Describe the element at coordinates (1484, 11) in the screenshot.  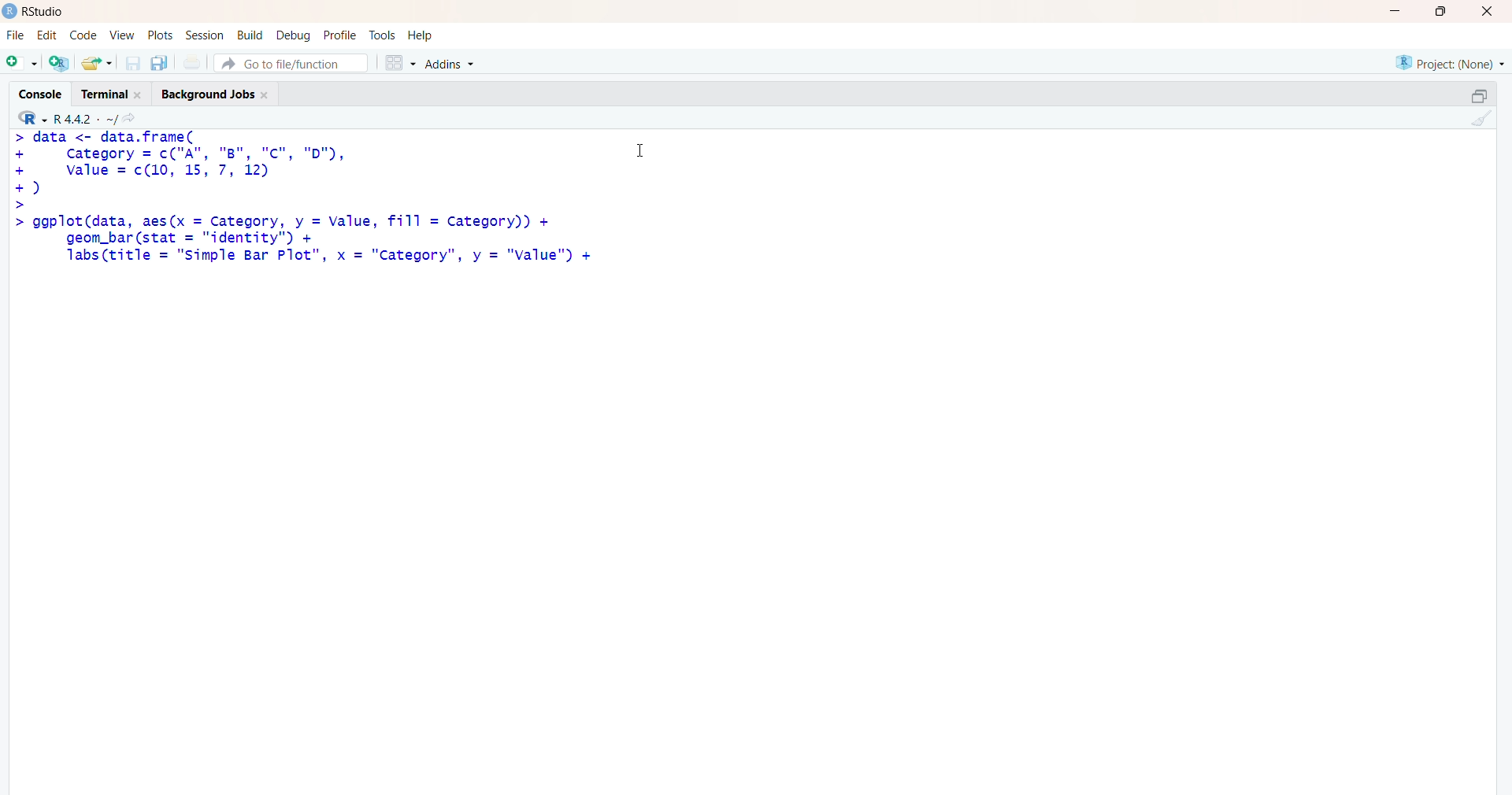
I see `Close` at that location.